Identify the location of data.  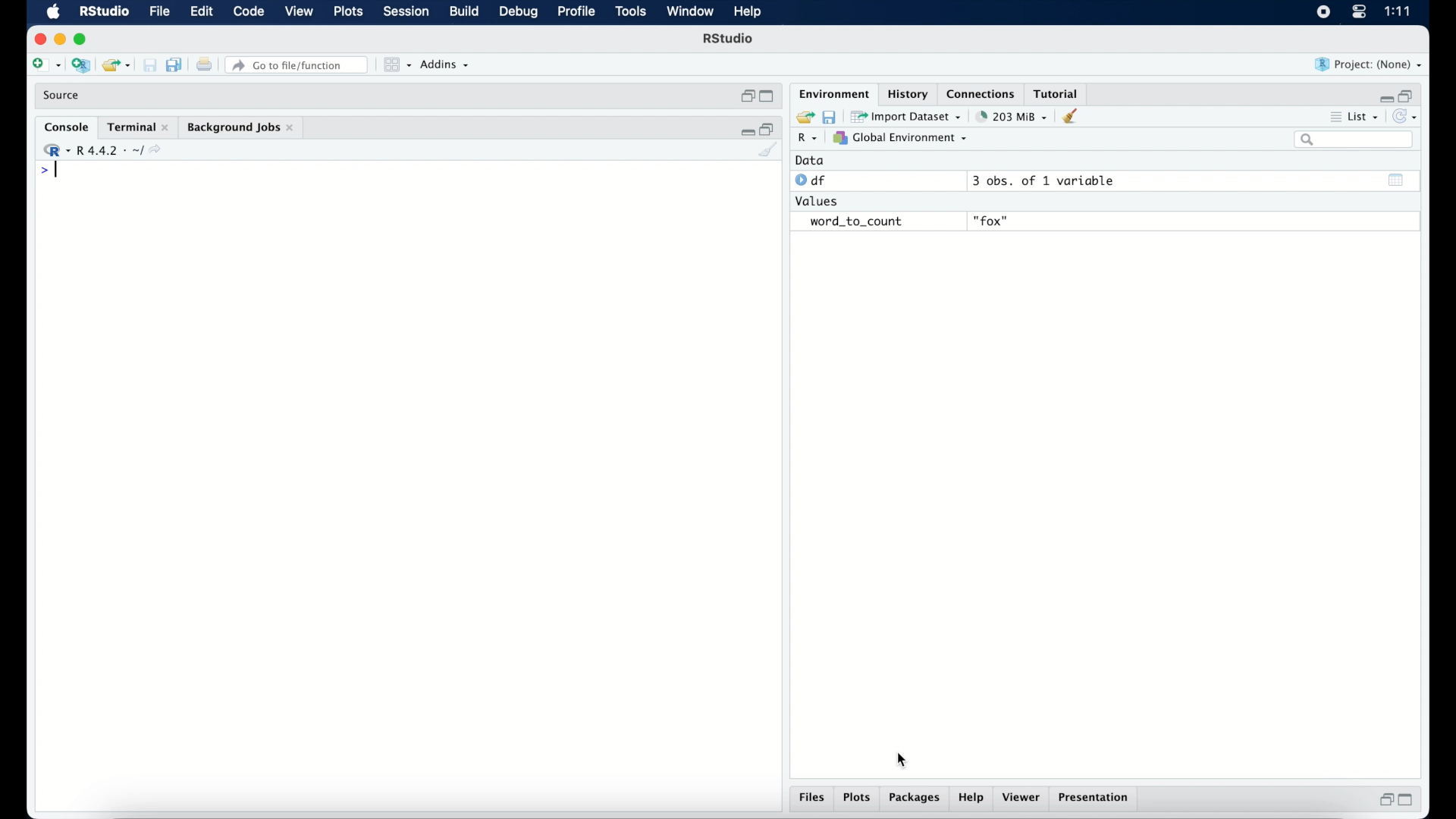
(810, 160).